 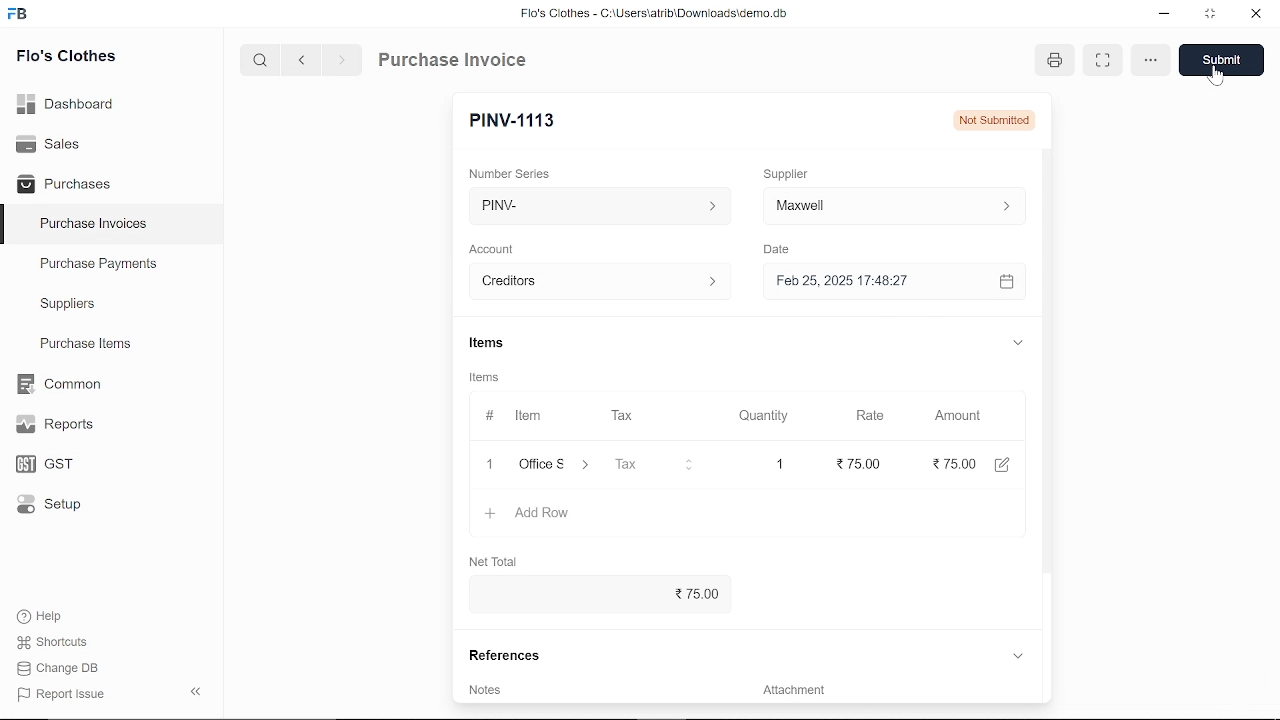 I want to click on Notes, so click(x=487, y=689).